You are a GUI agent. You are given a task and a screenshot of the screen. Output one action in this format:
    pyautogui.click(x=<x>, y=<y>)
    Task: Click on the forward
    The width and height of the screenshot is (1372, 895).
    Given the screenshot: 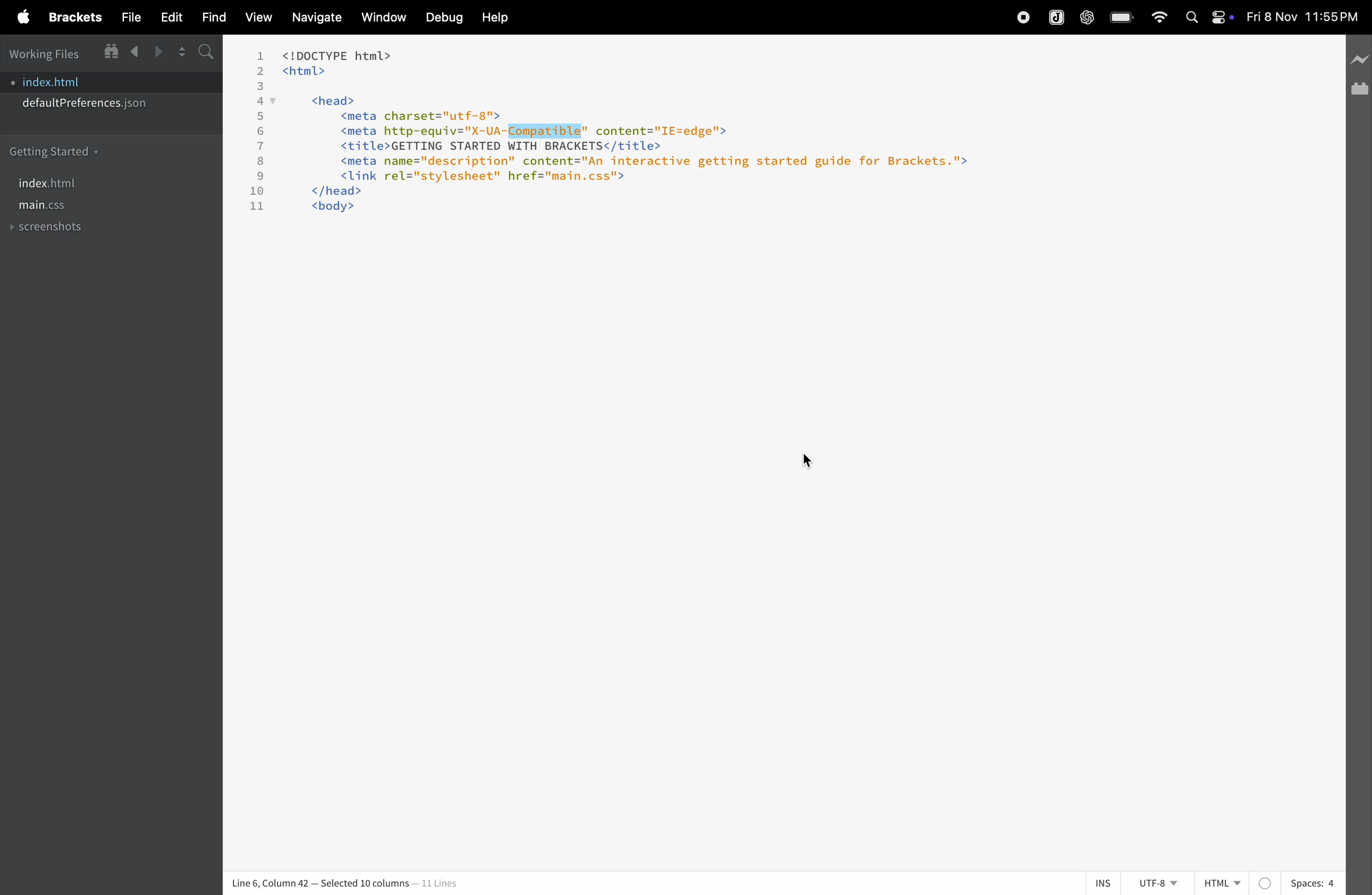 What is the action you would take?
    pyautogui.click(x=154, y=52)
    